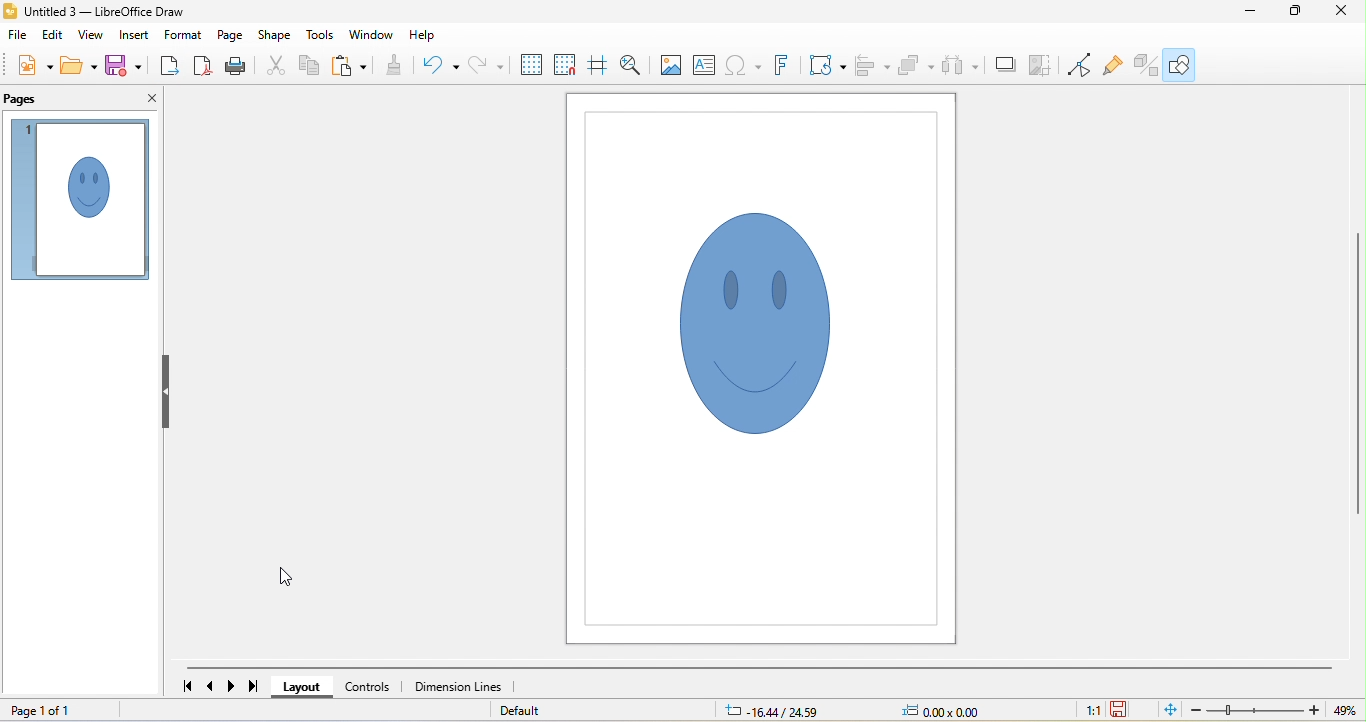 The width and height of the screenshot is (1366, 722). What do you see at coordinates (89, 35) in the screenshot?
I see `view` at bounding box center [89, 35].